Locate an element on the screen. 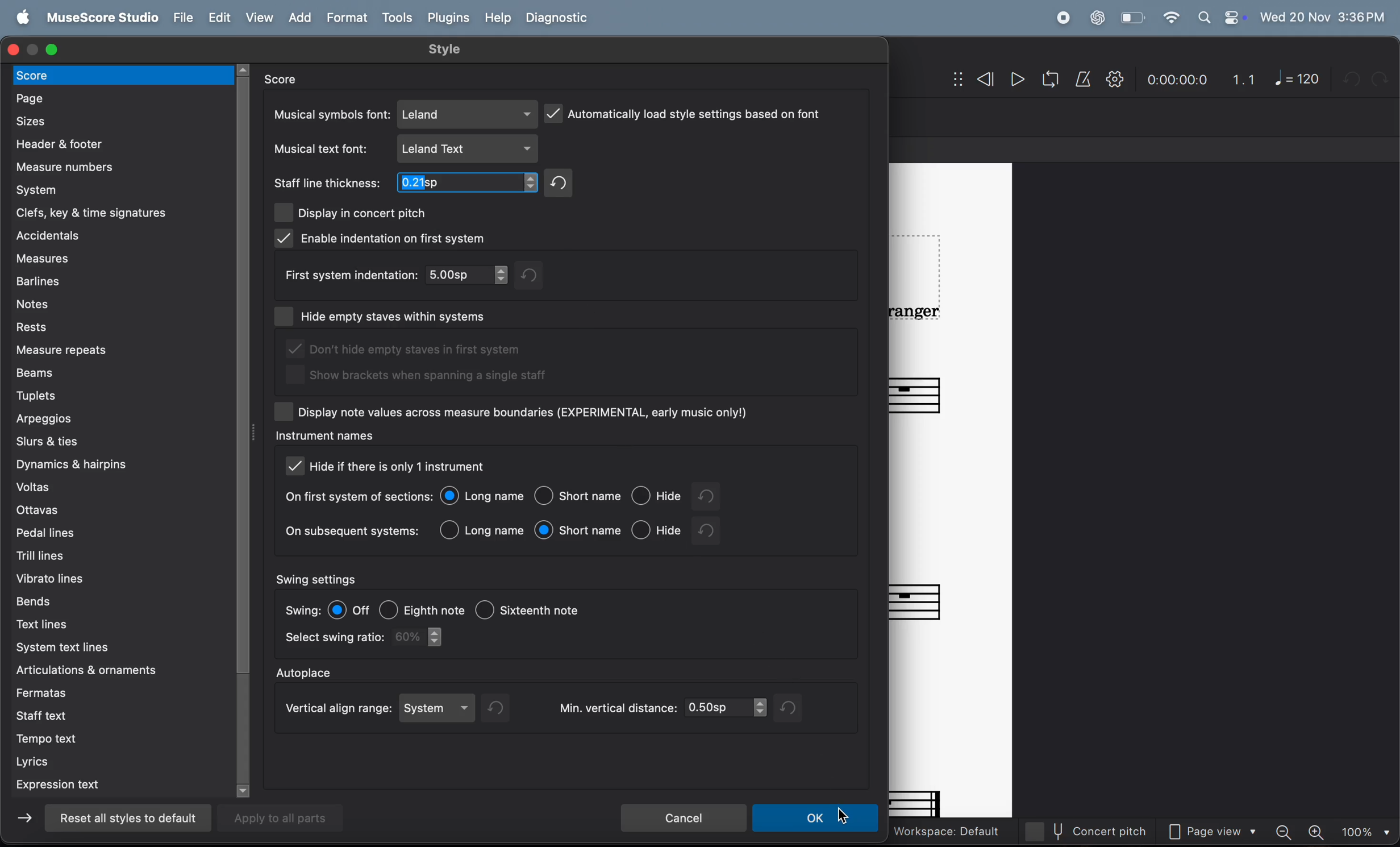 This screenshot has width=1400, height=847.  is located at coordinates (1013, 80).